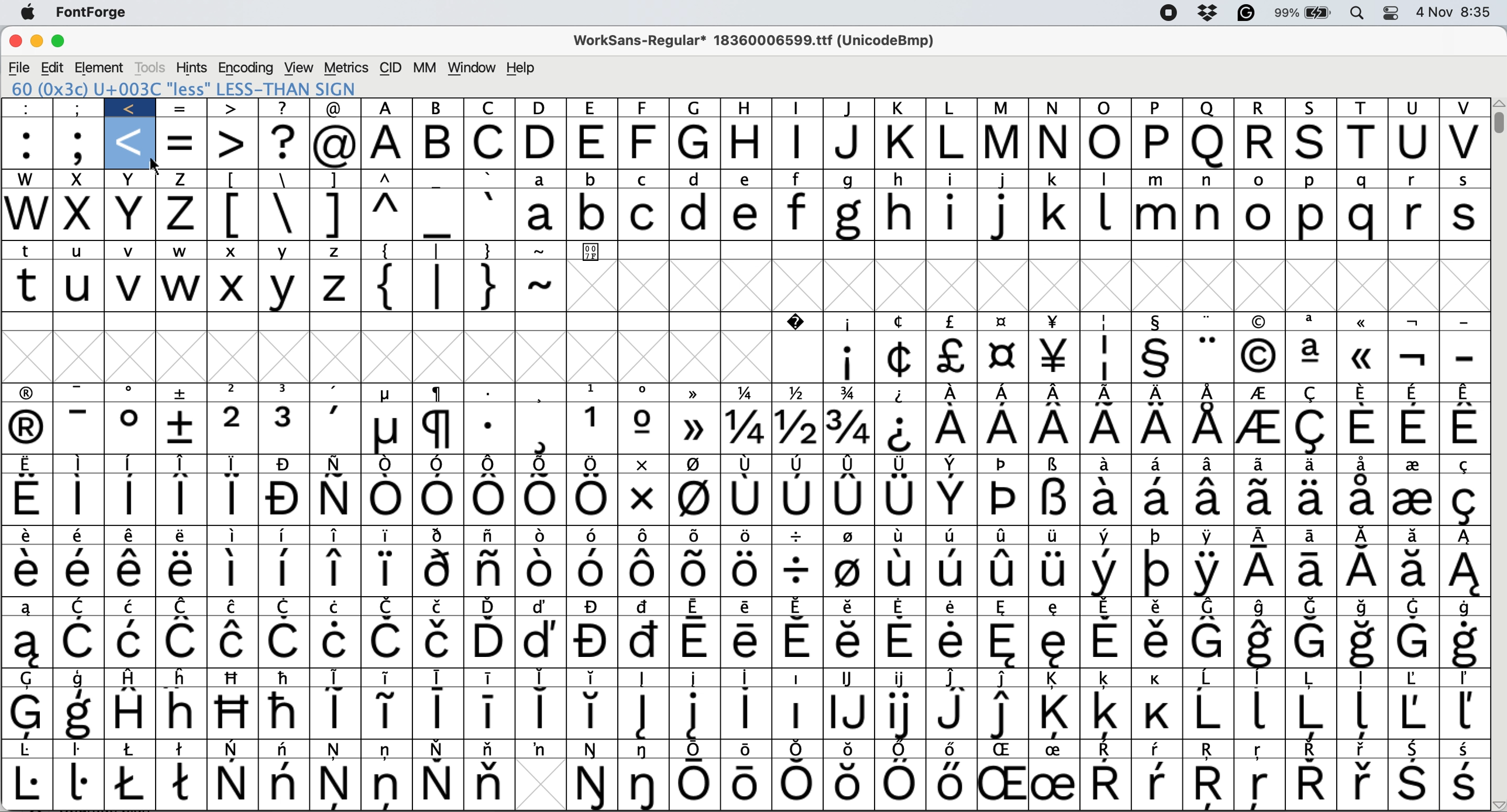  Describe the element at coordinates (545, 677) in the screenshot. I see `Symbol` at that location.